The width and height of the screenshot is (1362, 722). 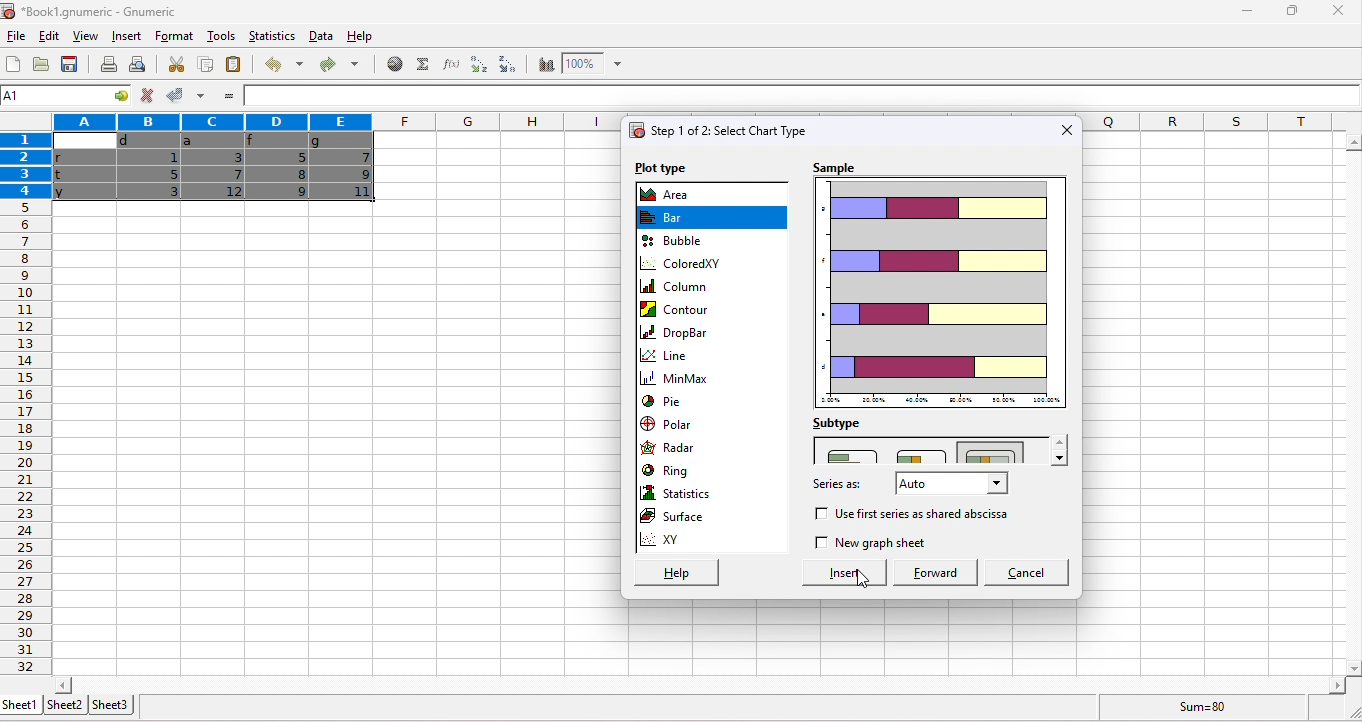 What do you see at coordinates (1247, 14) in the screenshot?
I see `minimize` at bounding box center [1247, 14].